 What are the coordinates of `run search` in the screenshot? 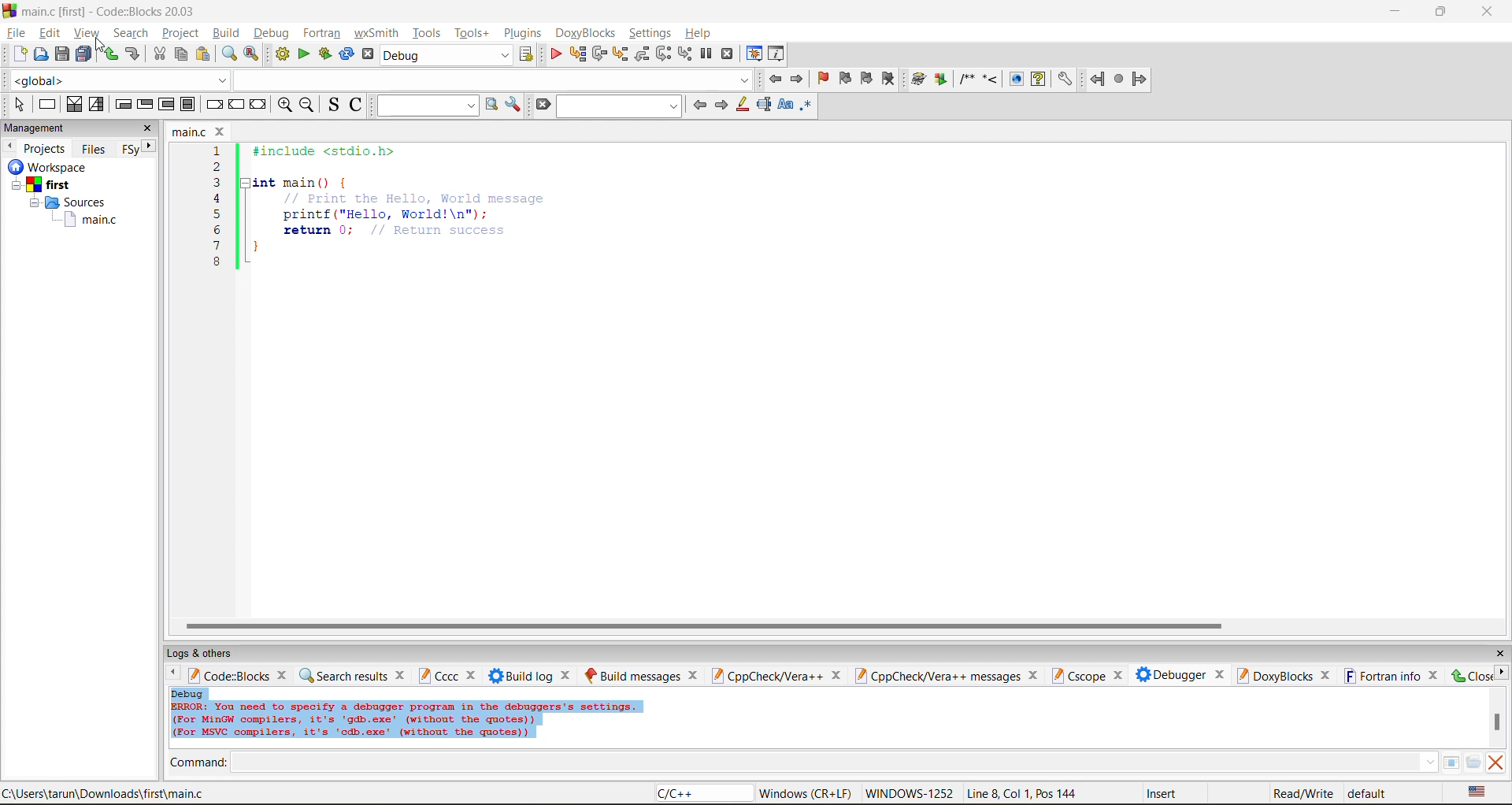 It's located at (490, 106).